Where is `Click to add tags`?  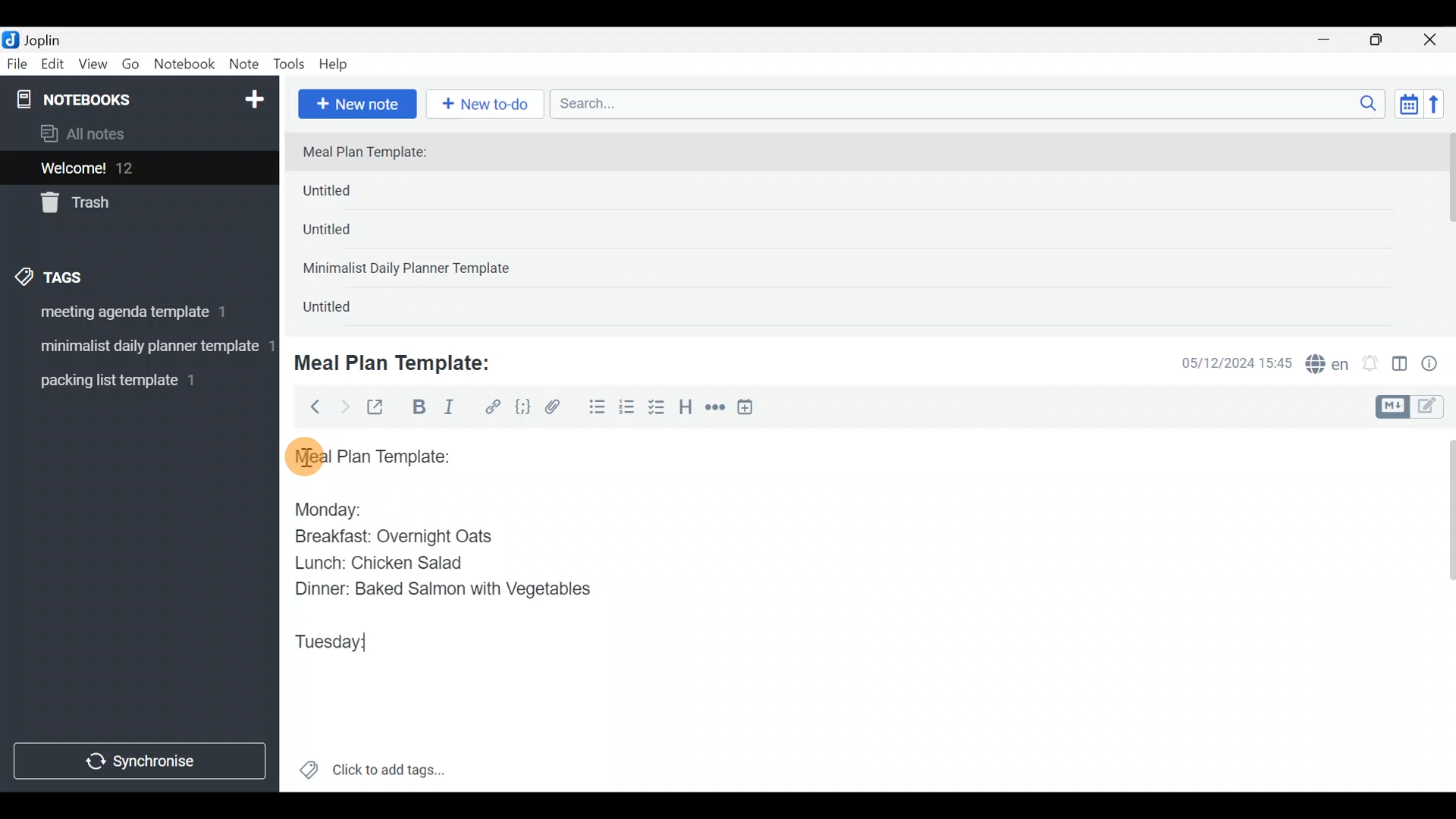
Click to add tags is located at coordinates (372, 775).